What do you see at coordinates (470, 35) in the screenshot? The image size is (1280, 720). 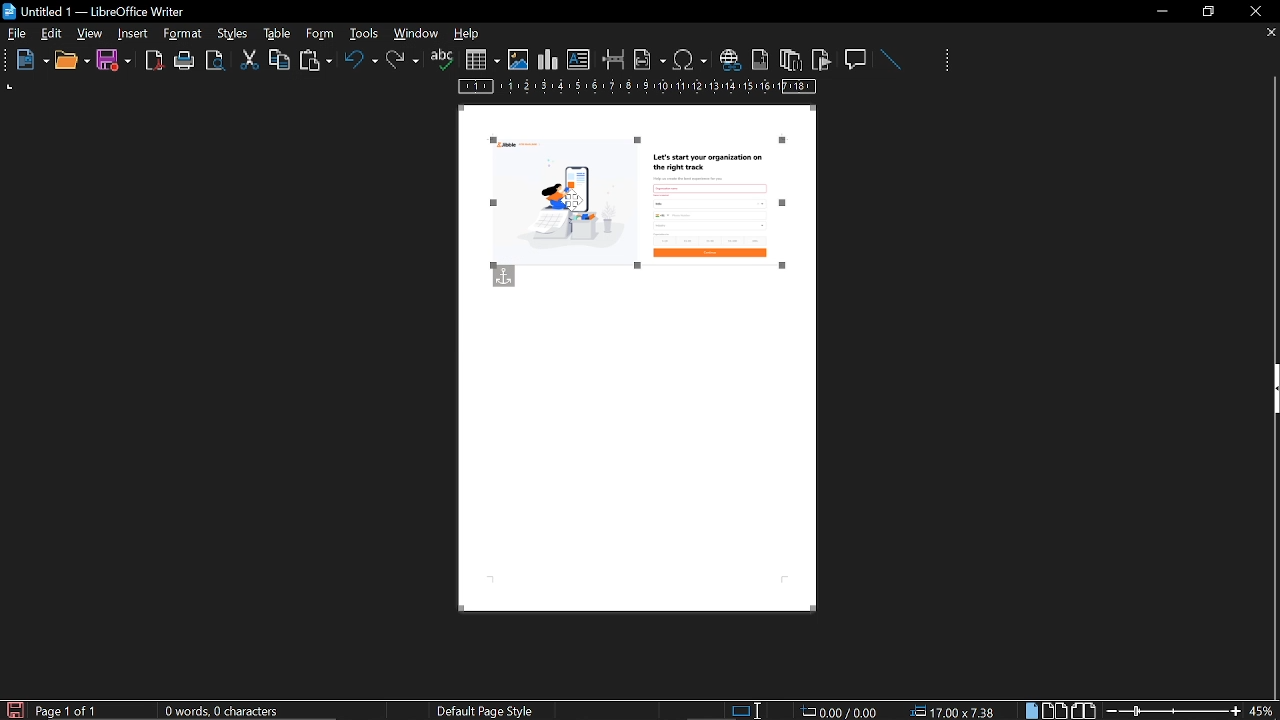 I see `help` at bounding box center [470, 35].